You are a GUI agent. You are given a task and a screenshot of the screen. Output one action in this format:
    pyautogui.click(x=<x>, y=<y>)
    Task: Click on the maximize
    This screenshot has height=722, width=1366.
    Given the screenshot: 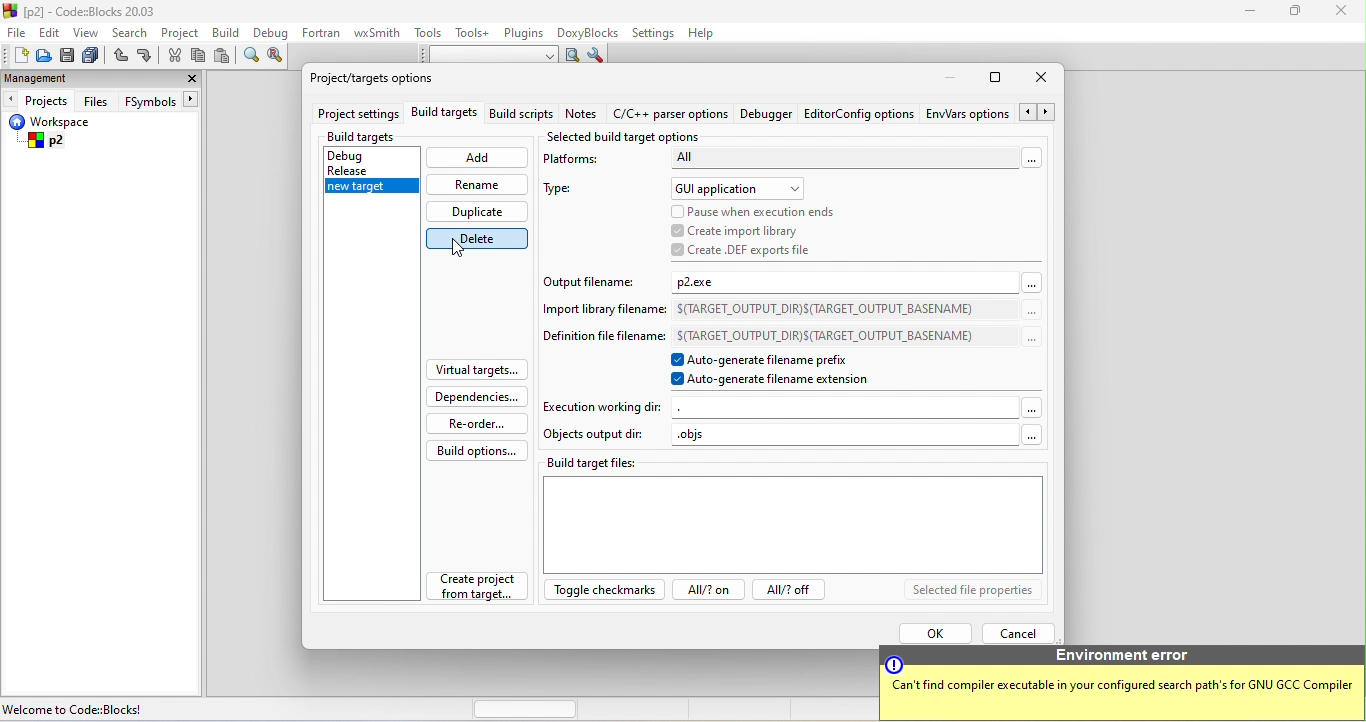 What is the action you would take?
    pyautogui.click(x=998, y=77)
    